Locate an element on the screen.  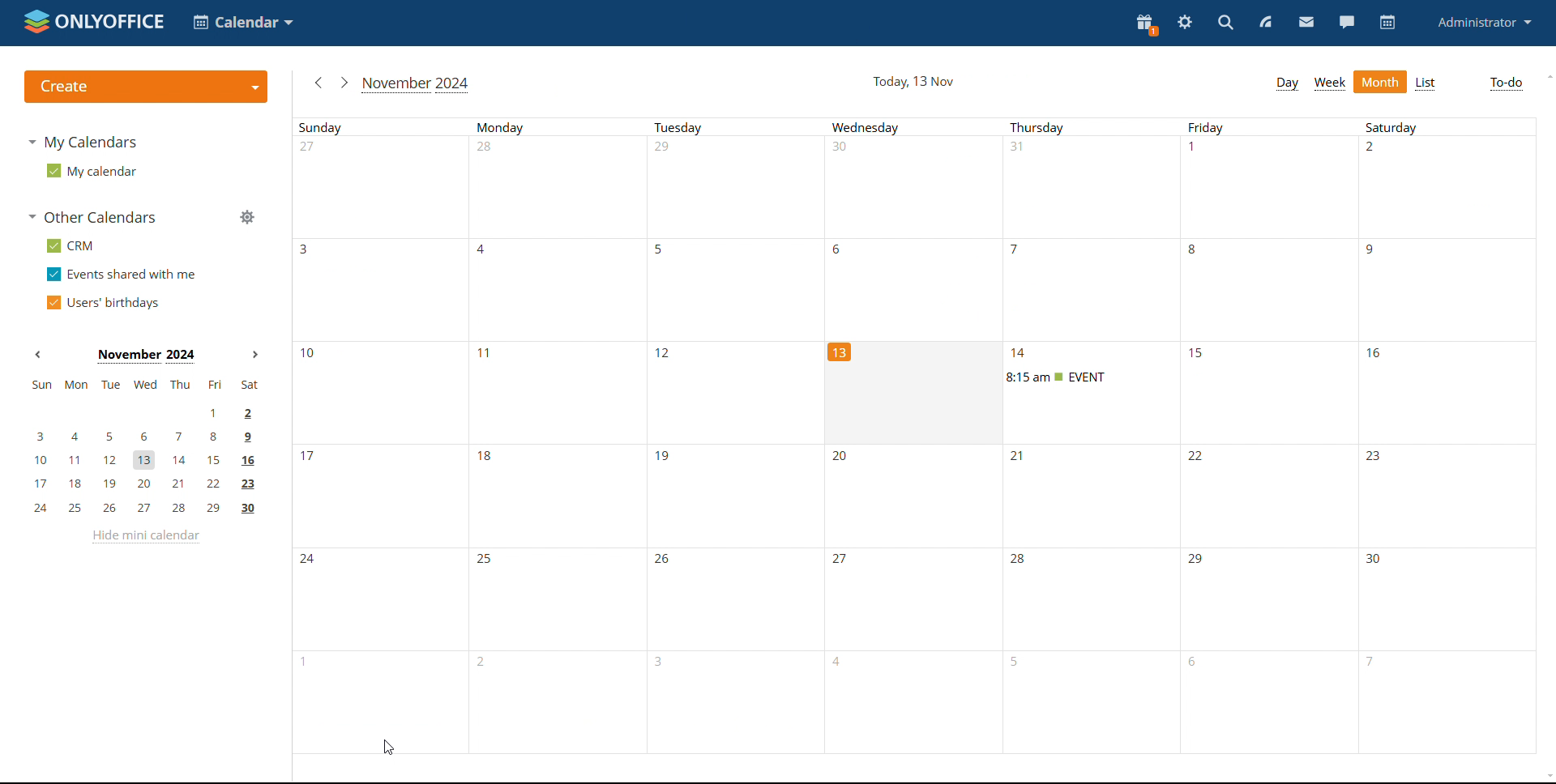
current date is located at coordinates (913, 83).